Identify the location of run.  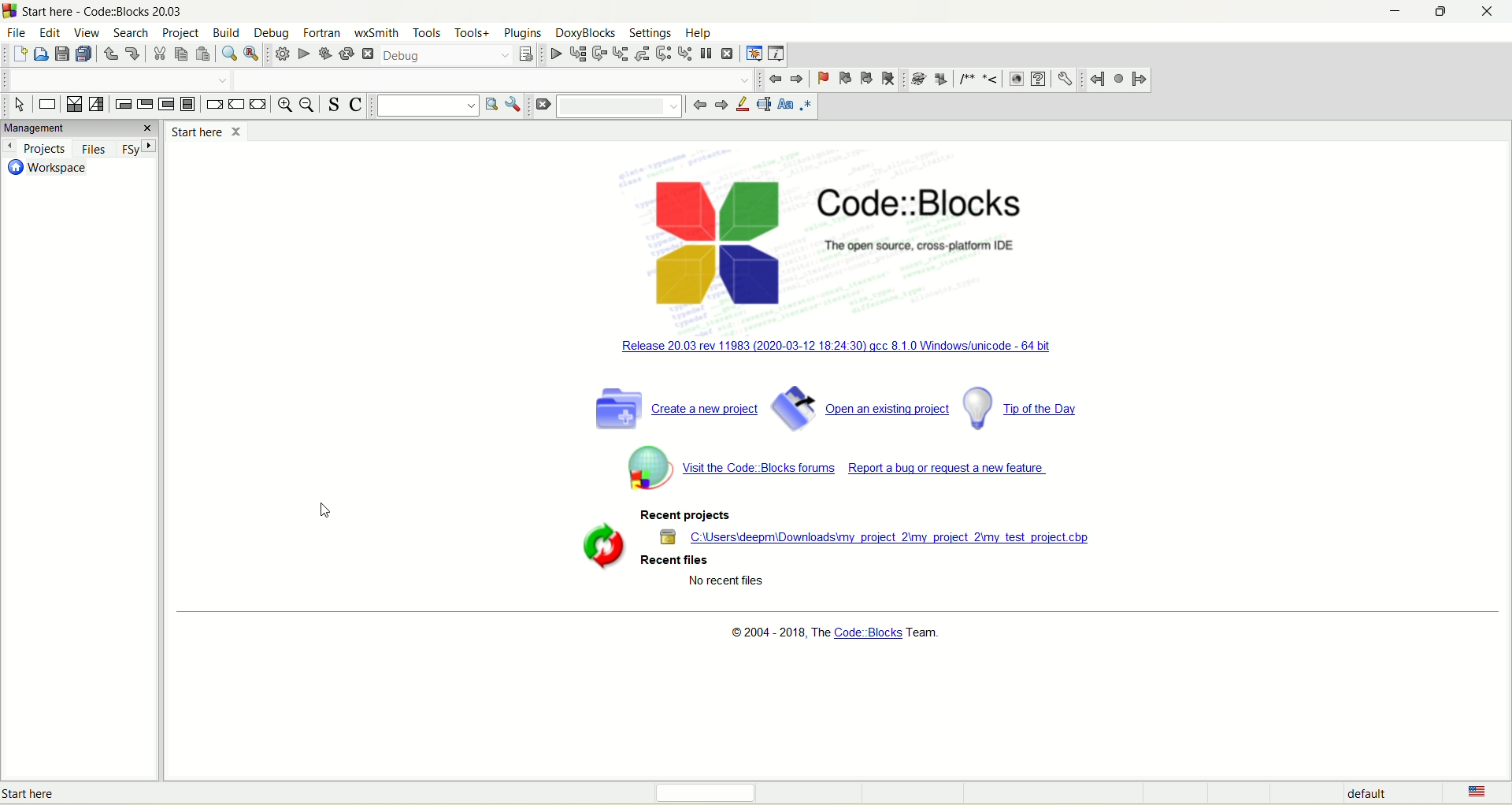
(301, 52).